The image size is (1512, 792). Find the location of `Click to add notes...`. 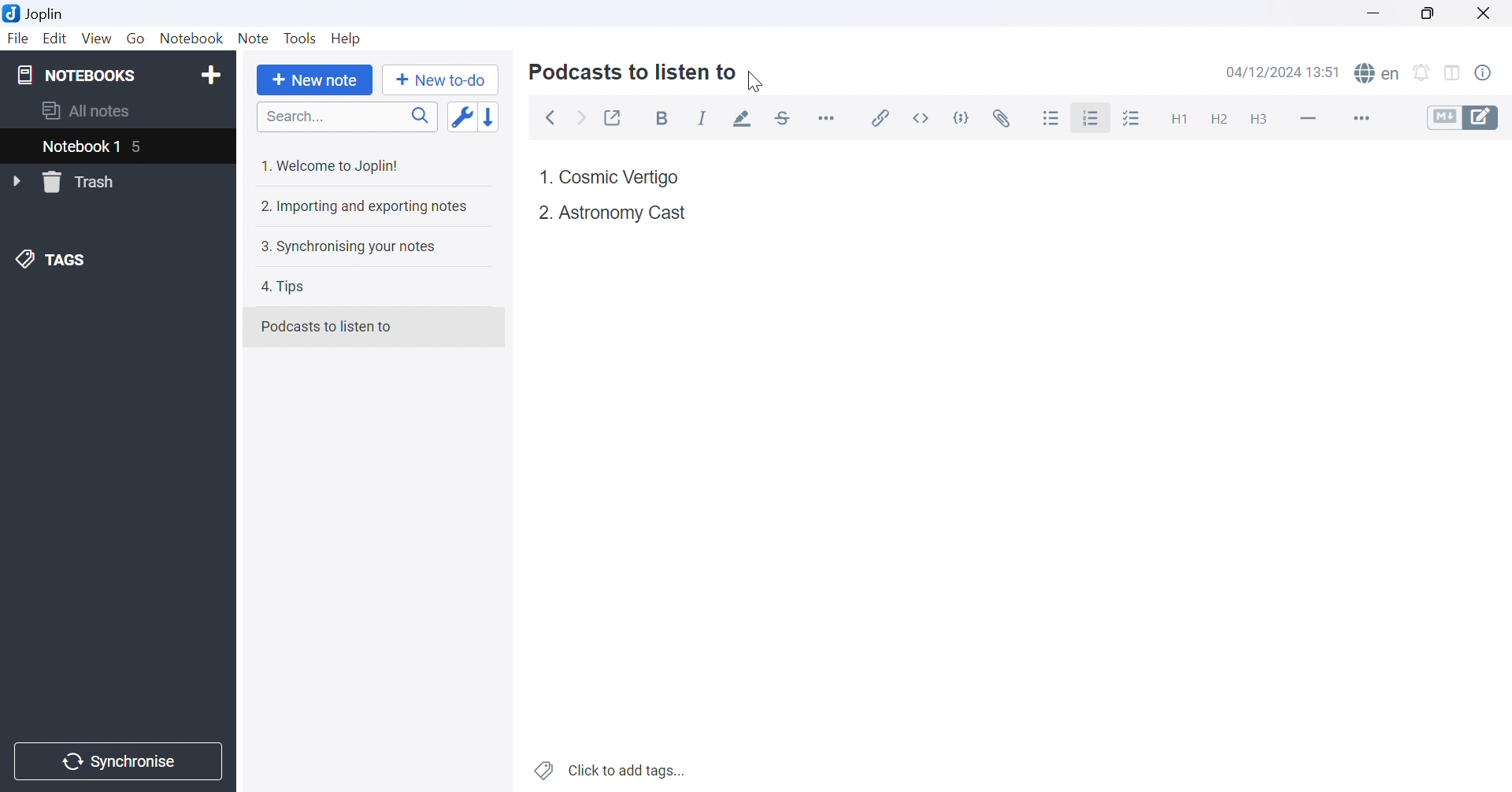

Click to add notes... is located at coordinates (612, 768).